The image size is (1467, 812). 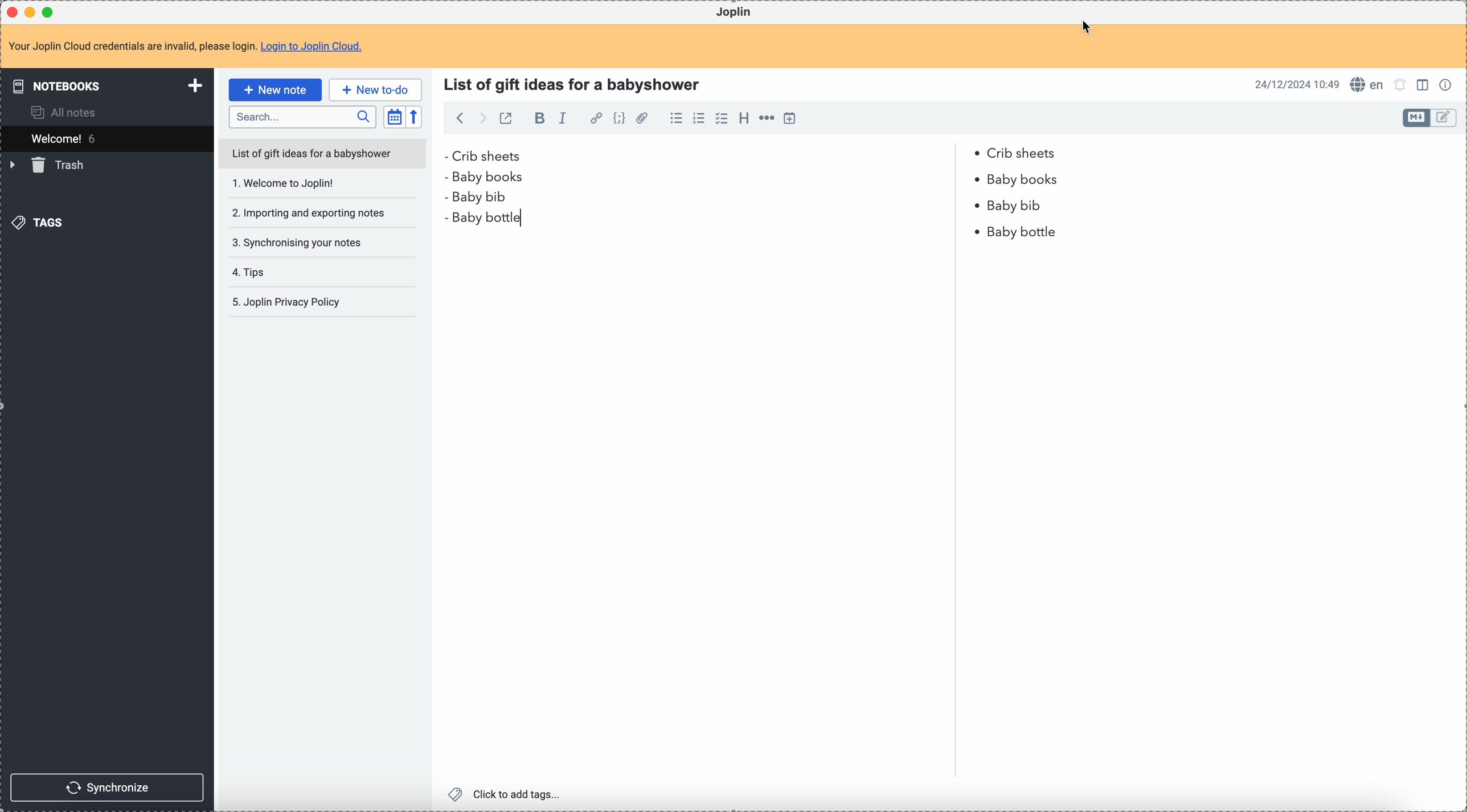 What do you see at coordinates (793, 118) in the screenshot?
I see `insert time` at bounding box center [793, 118].